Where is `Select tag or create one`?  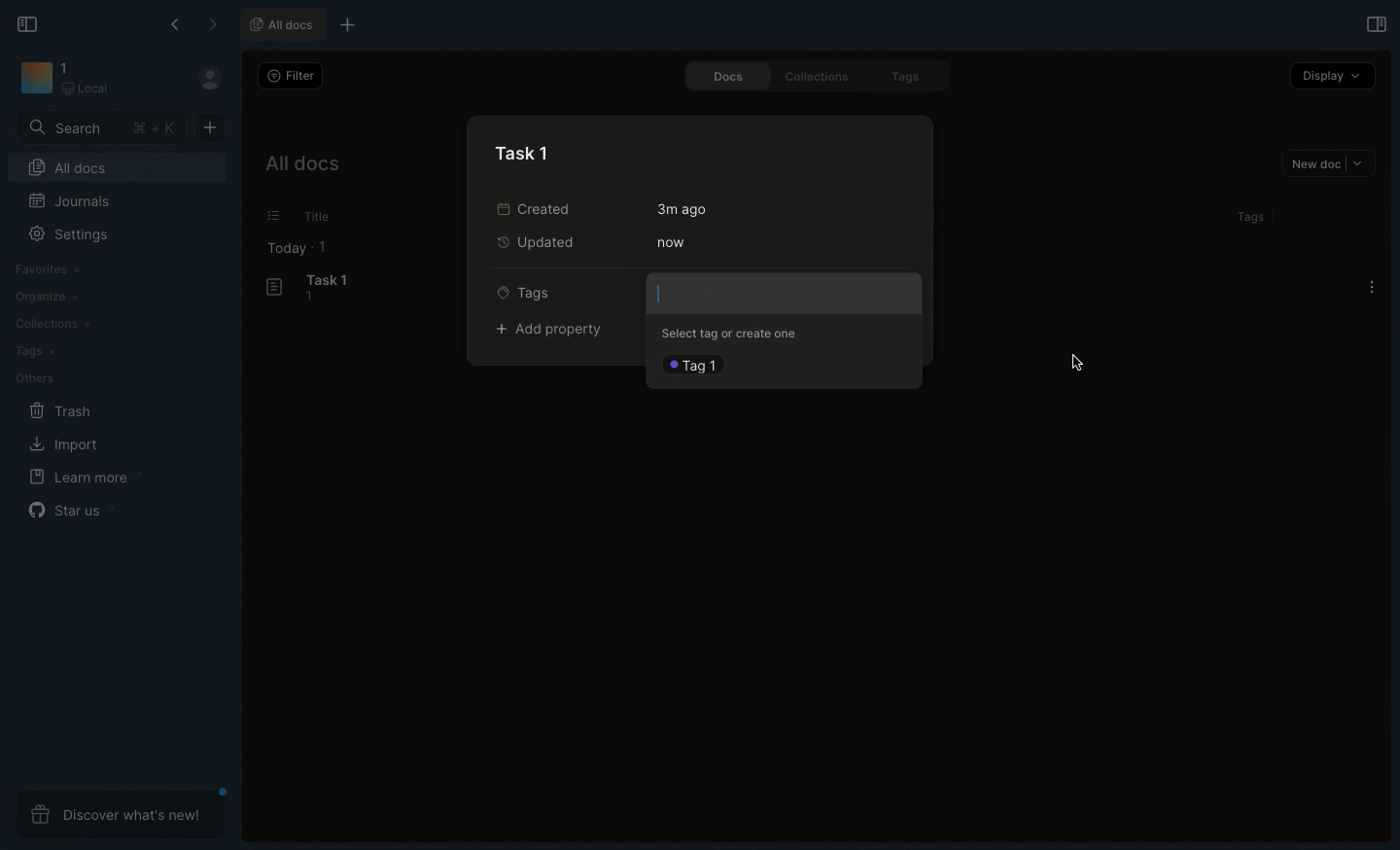
Select tag or create one is located at coordinates (731, 334).